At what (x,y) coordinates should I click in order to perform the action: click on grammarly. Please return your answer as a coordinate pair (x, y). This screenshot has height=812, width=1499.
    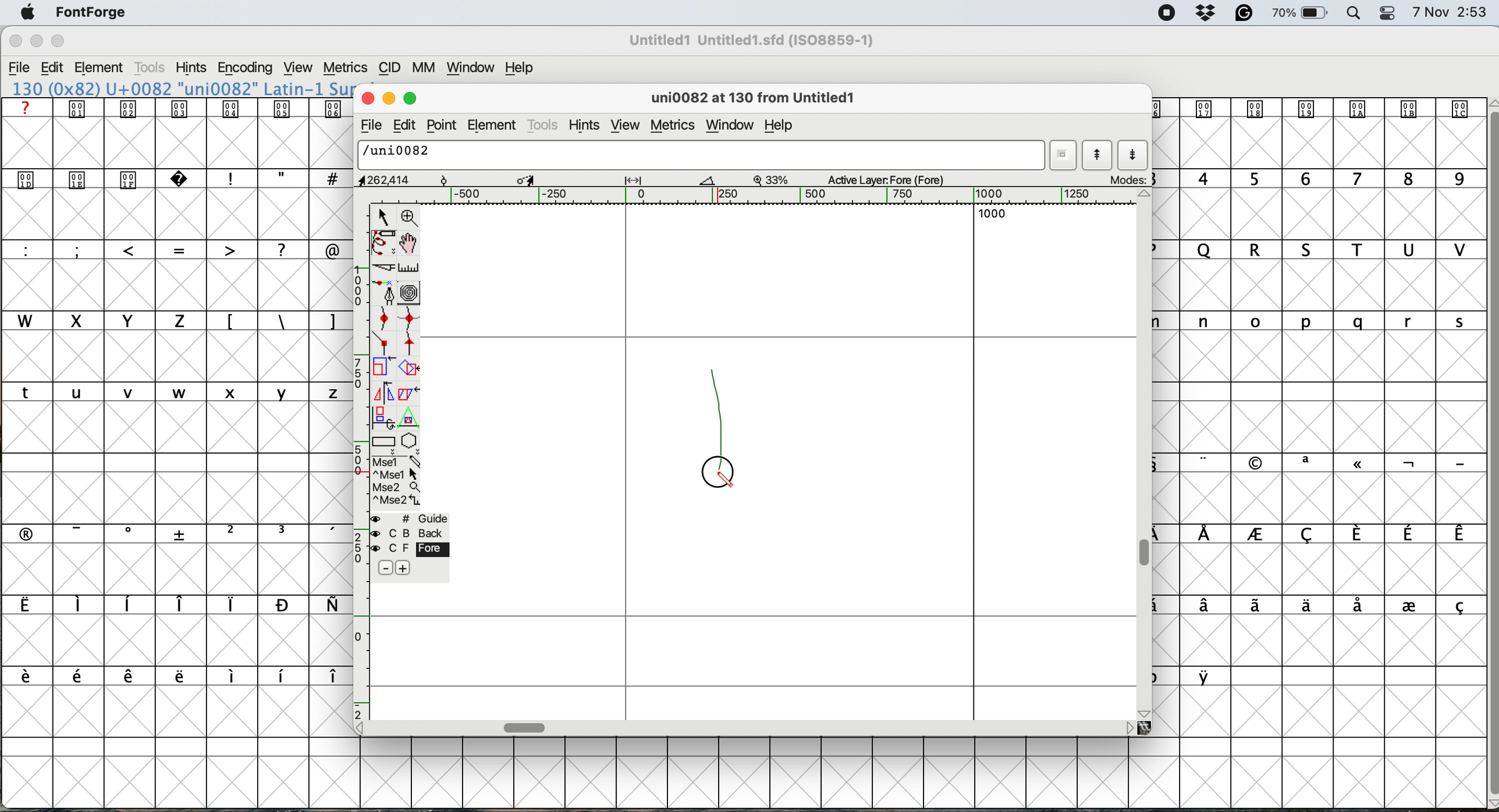
    Looking at the image, I should click on (1244, 13).